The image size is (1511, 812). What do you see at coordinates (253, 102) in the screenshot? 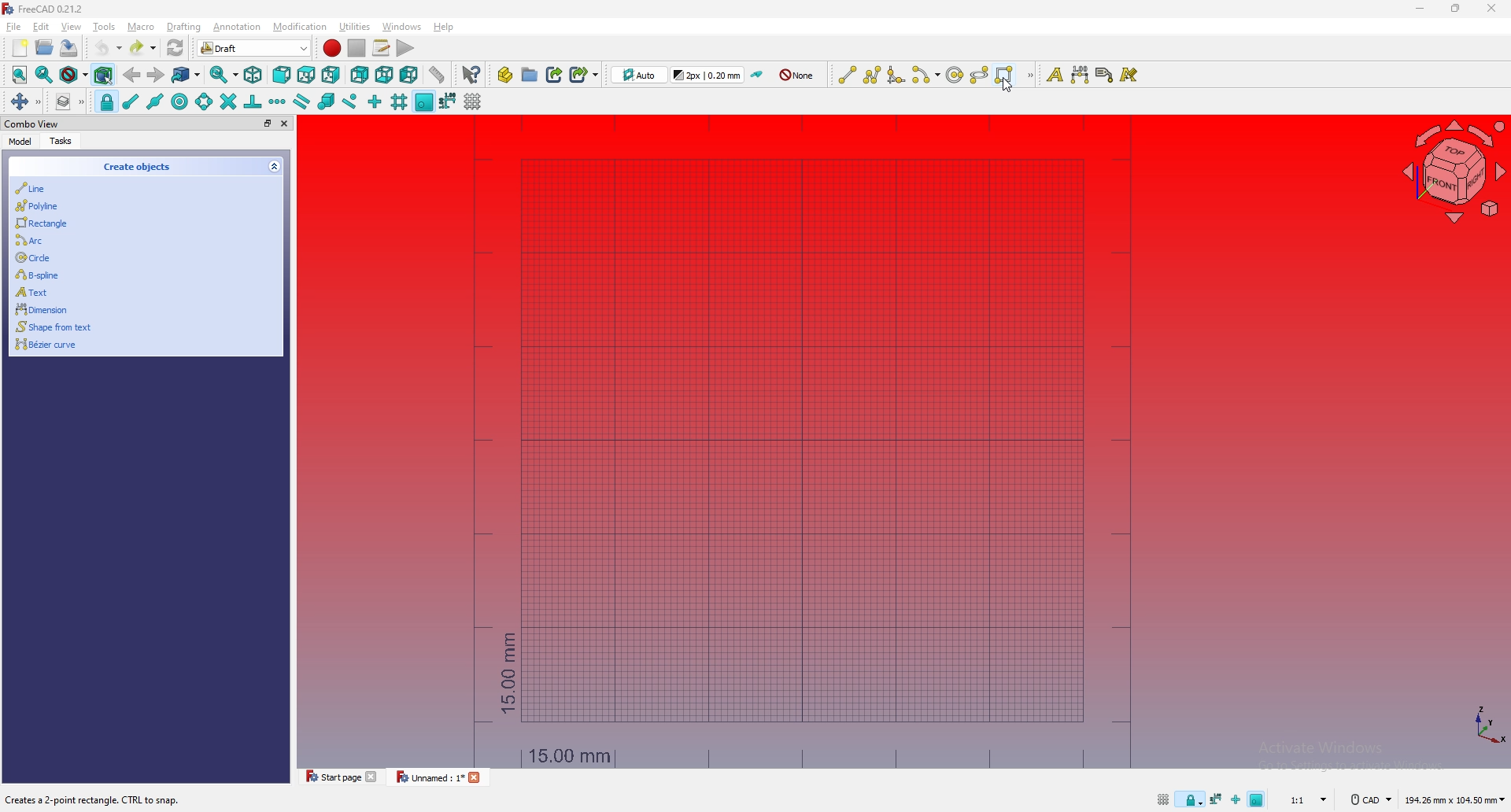
I see `snap perpendicular` at bounding box center [253, 102].